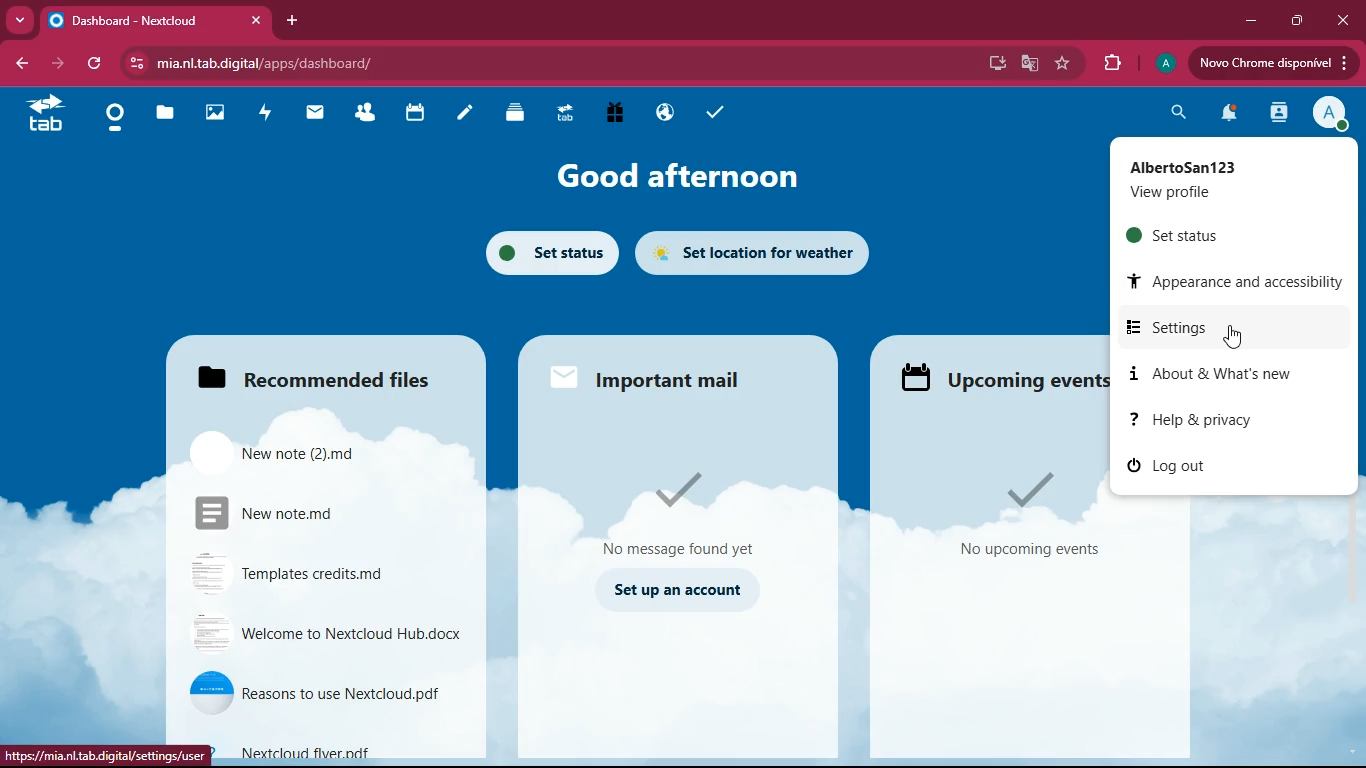 This screenshot has height=768, width=1366. Describe the element at coordinates (113, 120) in the screenshot. I see `home` at that location.